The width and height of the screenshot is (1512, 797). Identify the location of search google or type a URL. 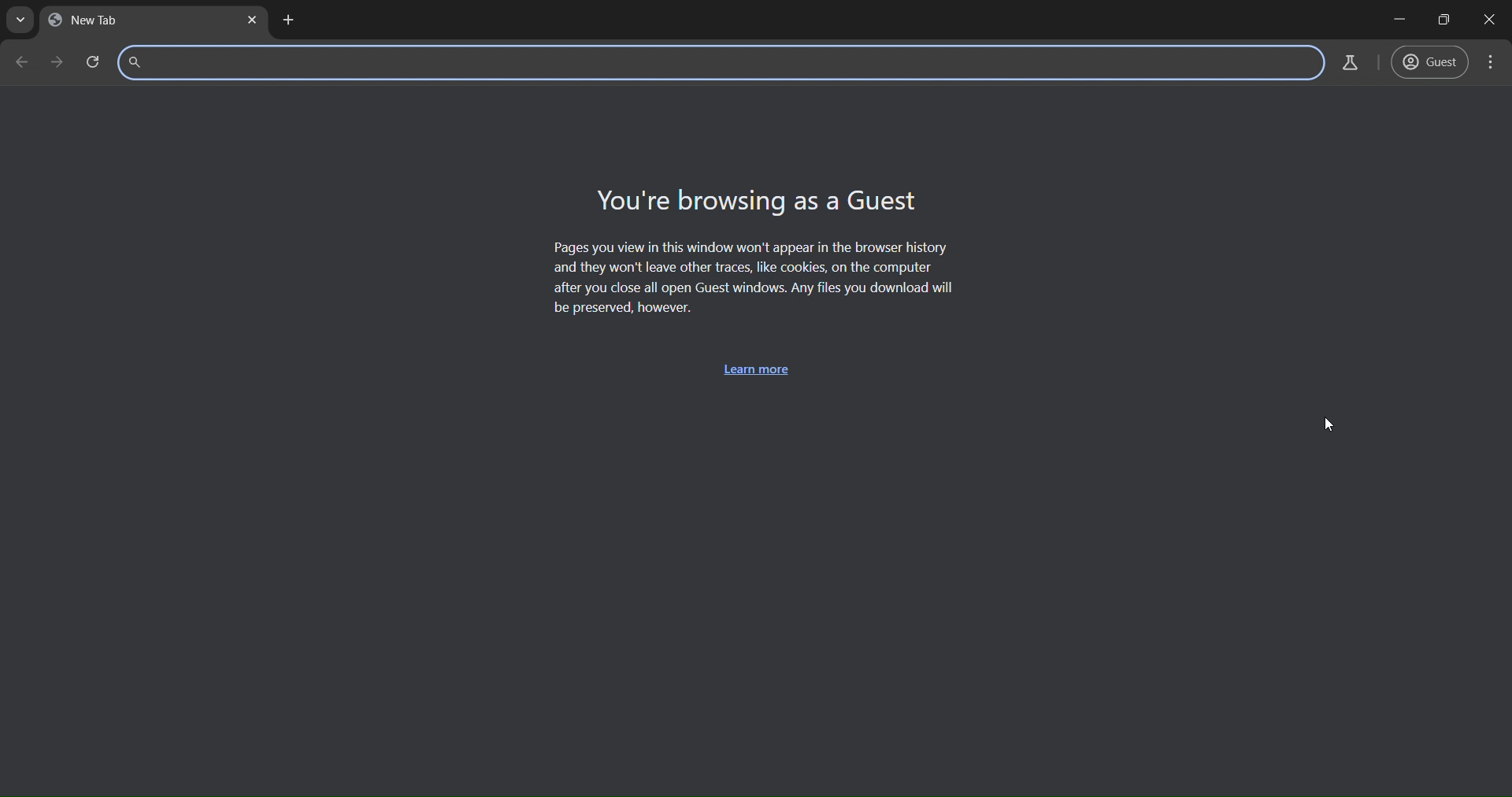
(716, 63).